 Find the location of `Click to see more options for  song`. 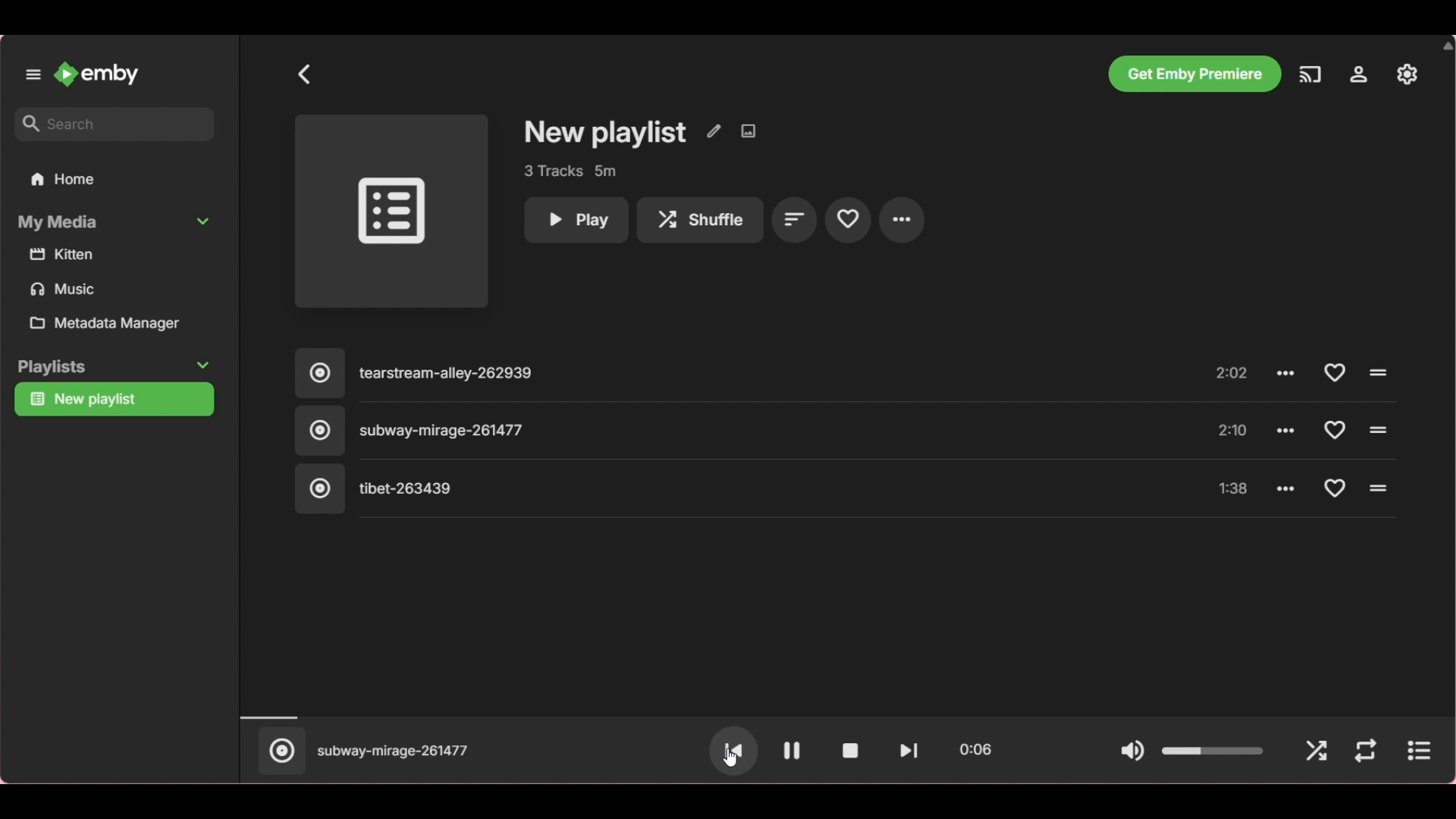

Click to see more options for  song is located at coordinates (1286, 487).